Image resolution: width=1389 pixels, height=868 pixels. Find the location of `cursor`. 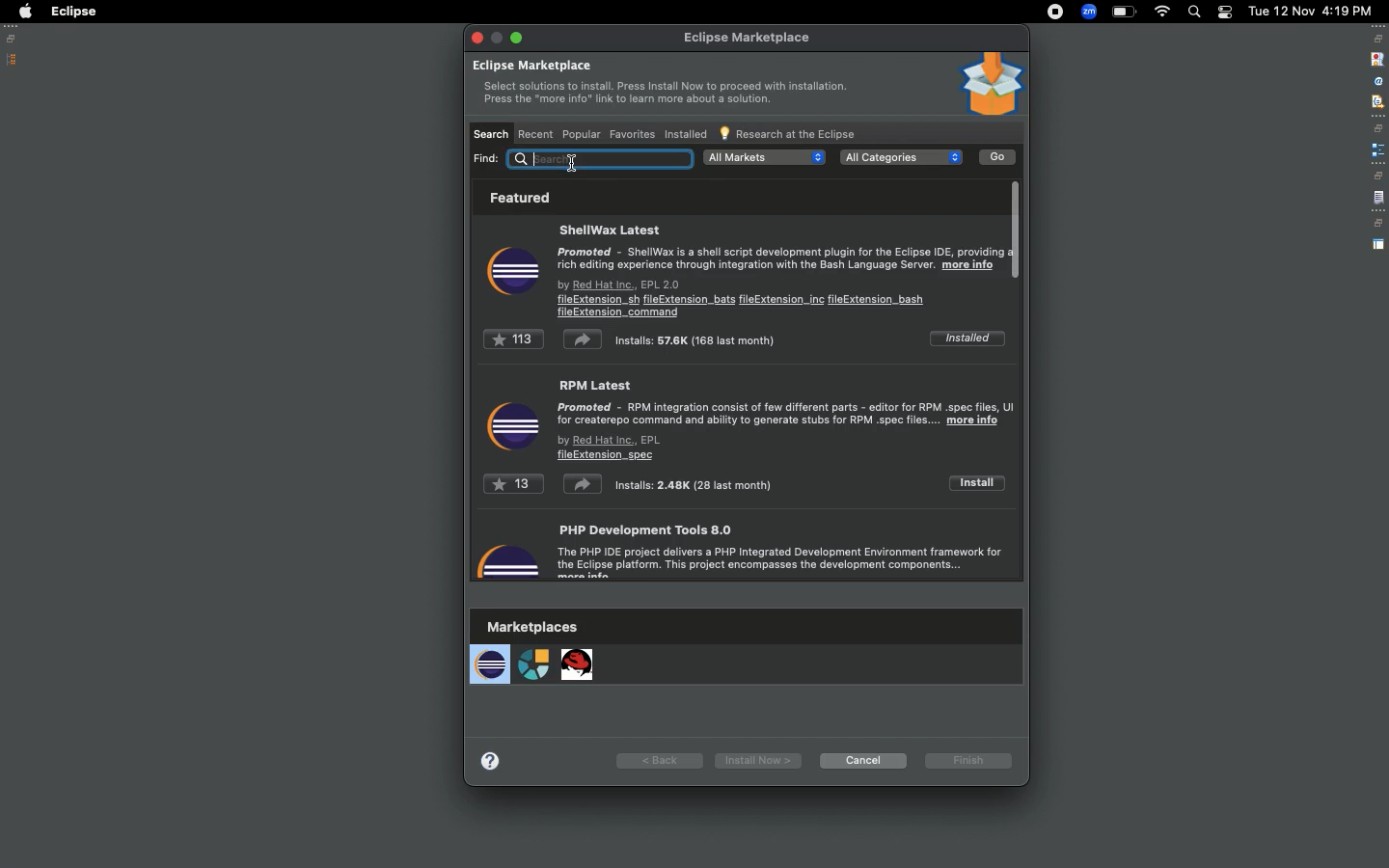

cursor is located at coordinates (570, 162).